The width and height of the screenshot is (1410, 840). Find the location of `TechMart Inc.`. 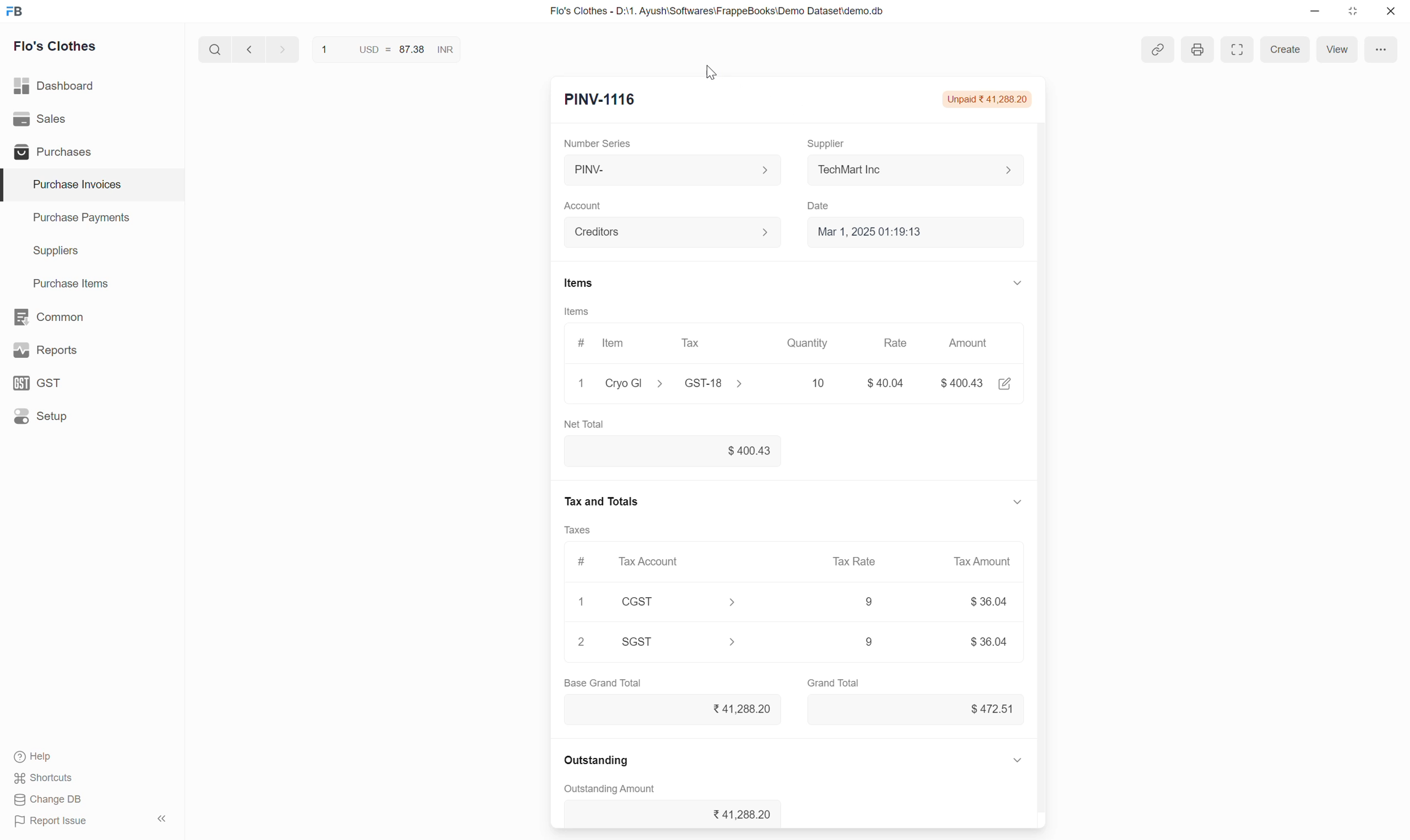

TechMart Inc. is located at coordinates (921, 169).